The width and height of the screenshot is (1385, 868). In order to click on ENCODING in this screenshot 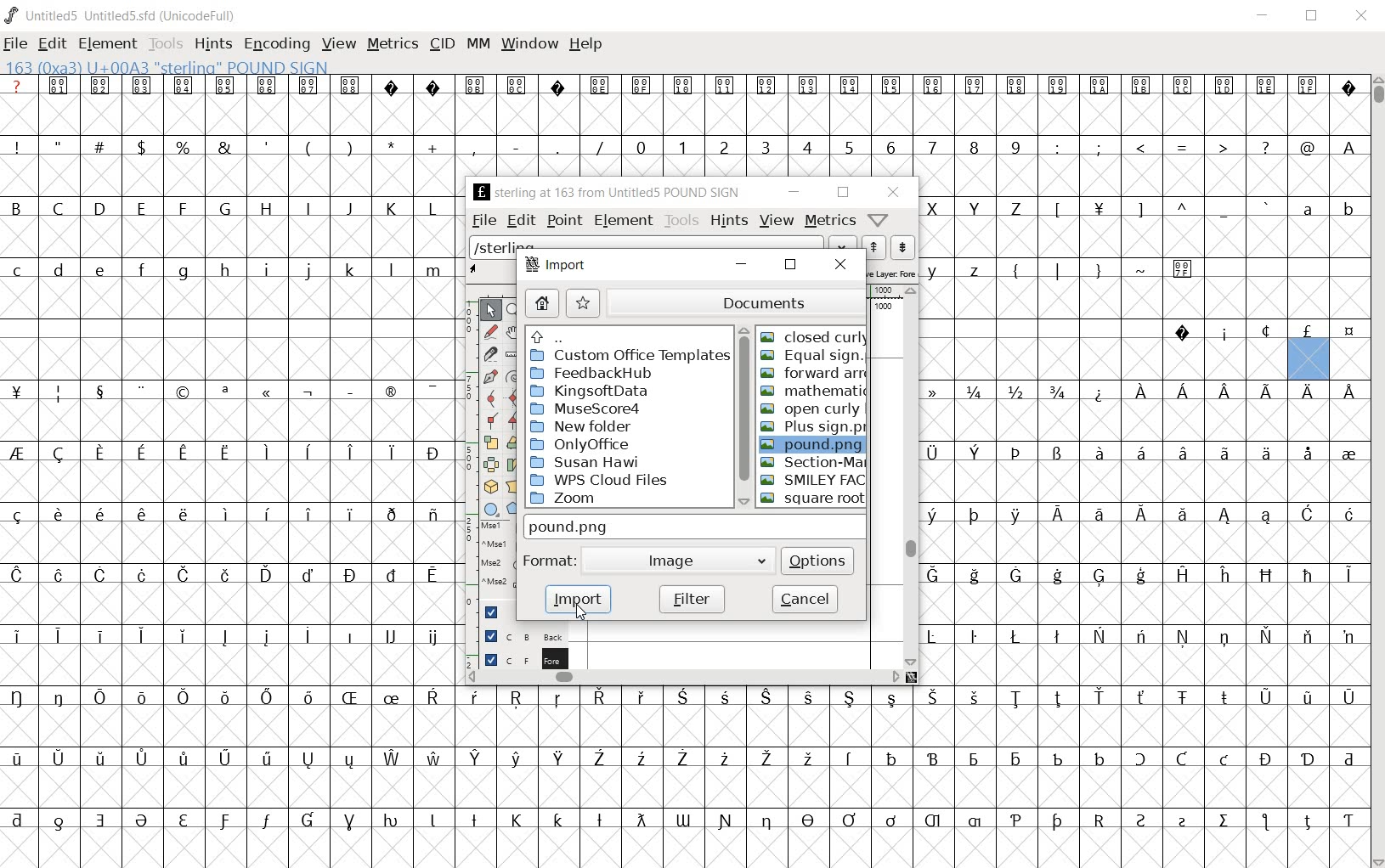, I will do `click(275, 45)`.